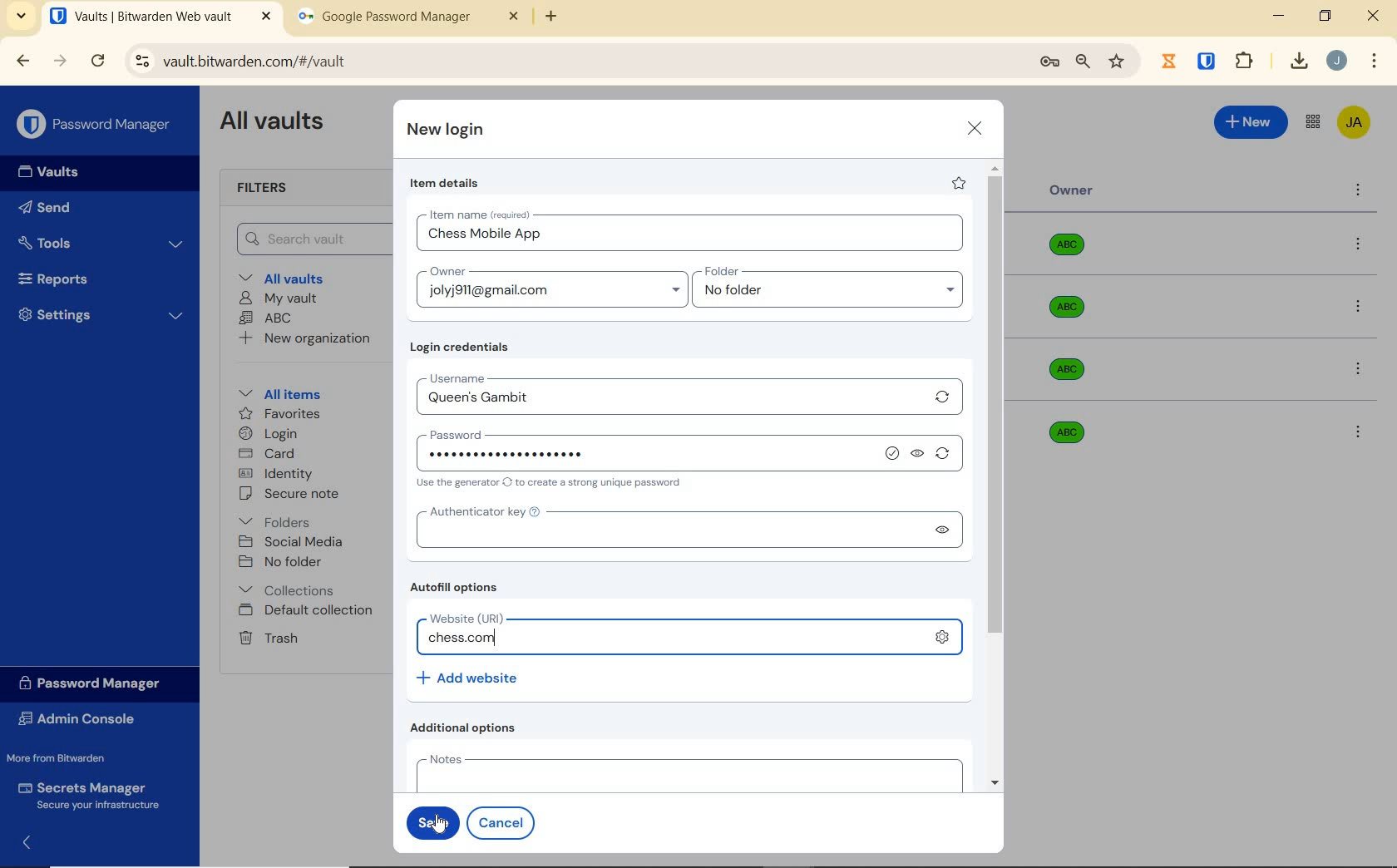 The image size is (1397, 868). I want to click on backward, so click(22, 61).